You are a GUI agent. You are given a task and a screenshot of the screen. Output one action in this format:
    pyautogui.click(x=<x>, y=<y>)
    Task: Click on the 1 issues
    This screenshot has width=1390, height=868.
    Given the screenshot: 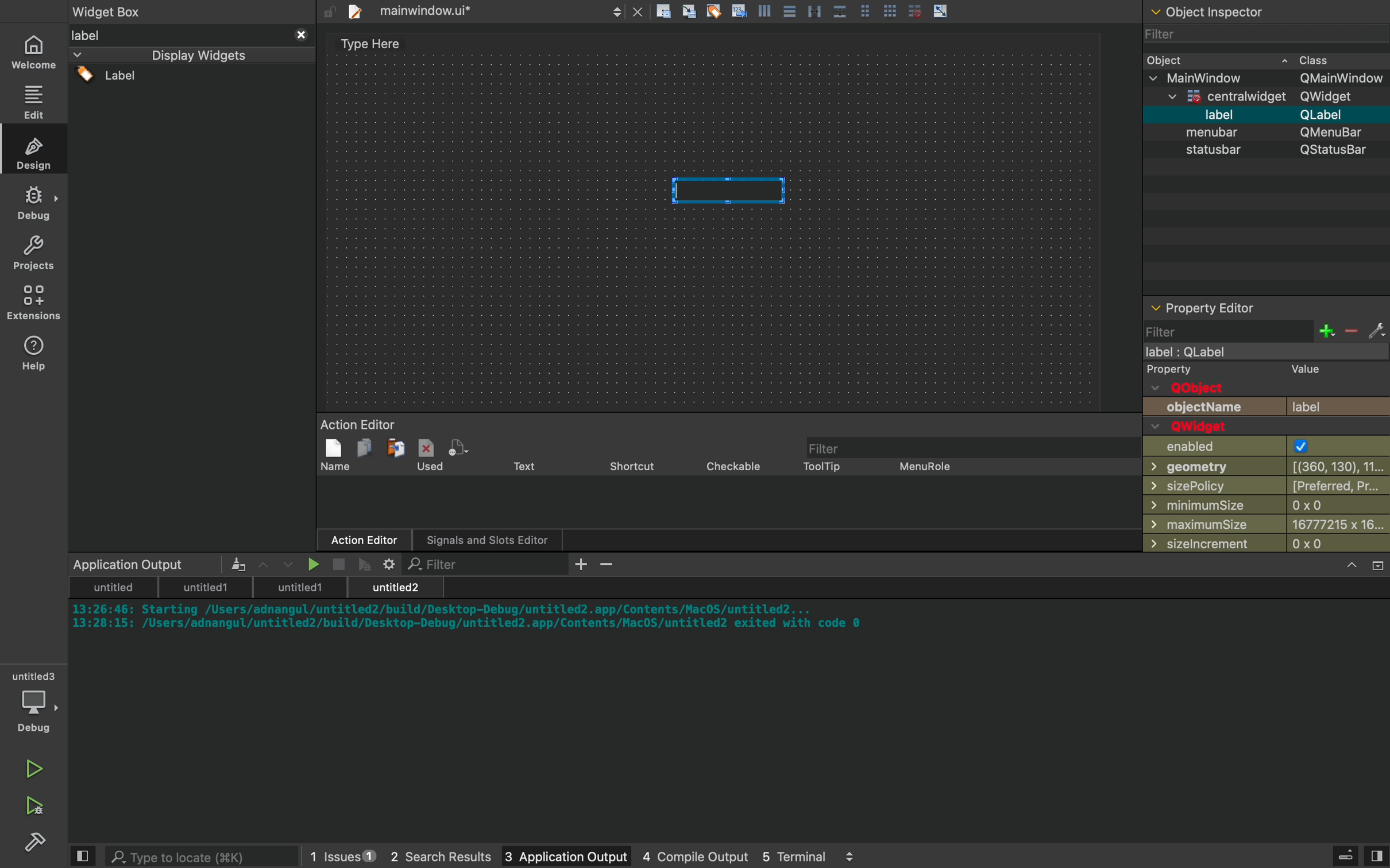 What is the action you would take?
    pyautogui.click(x=335, y=854)
    